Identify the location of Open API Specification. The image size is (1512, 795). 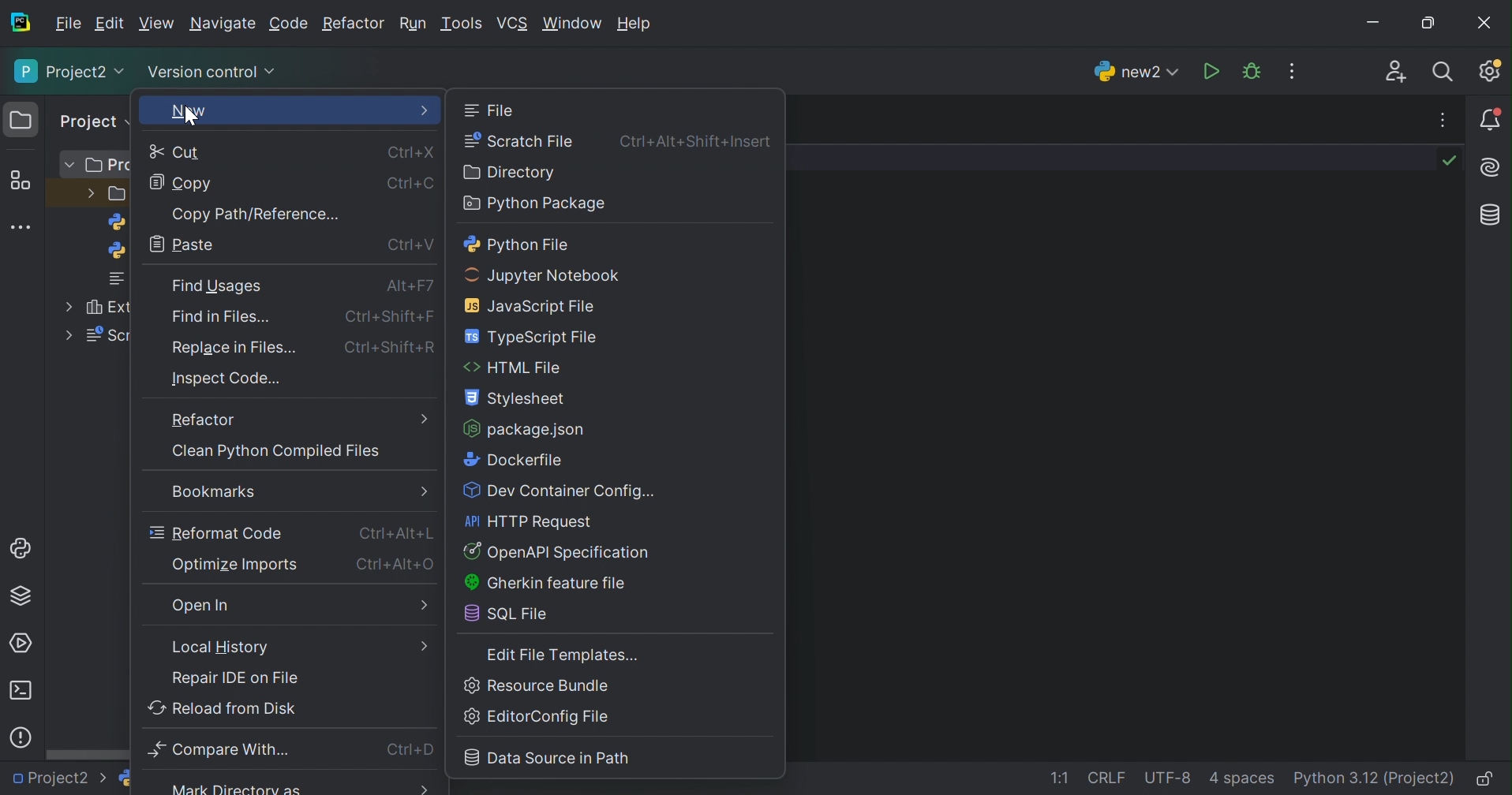
(563, 552).